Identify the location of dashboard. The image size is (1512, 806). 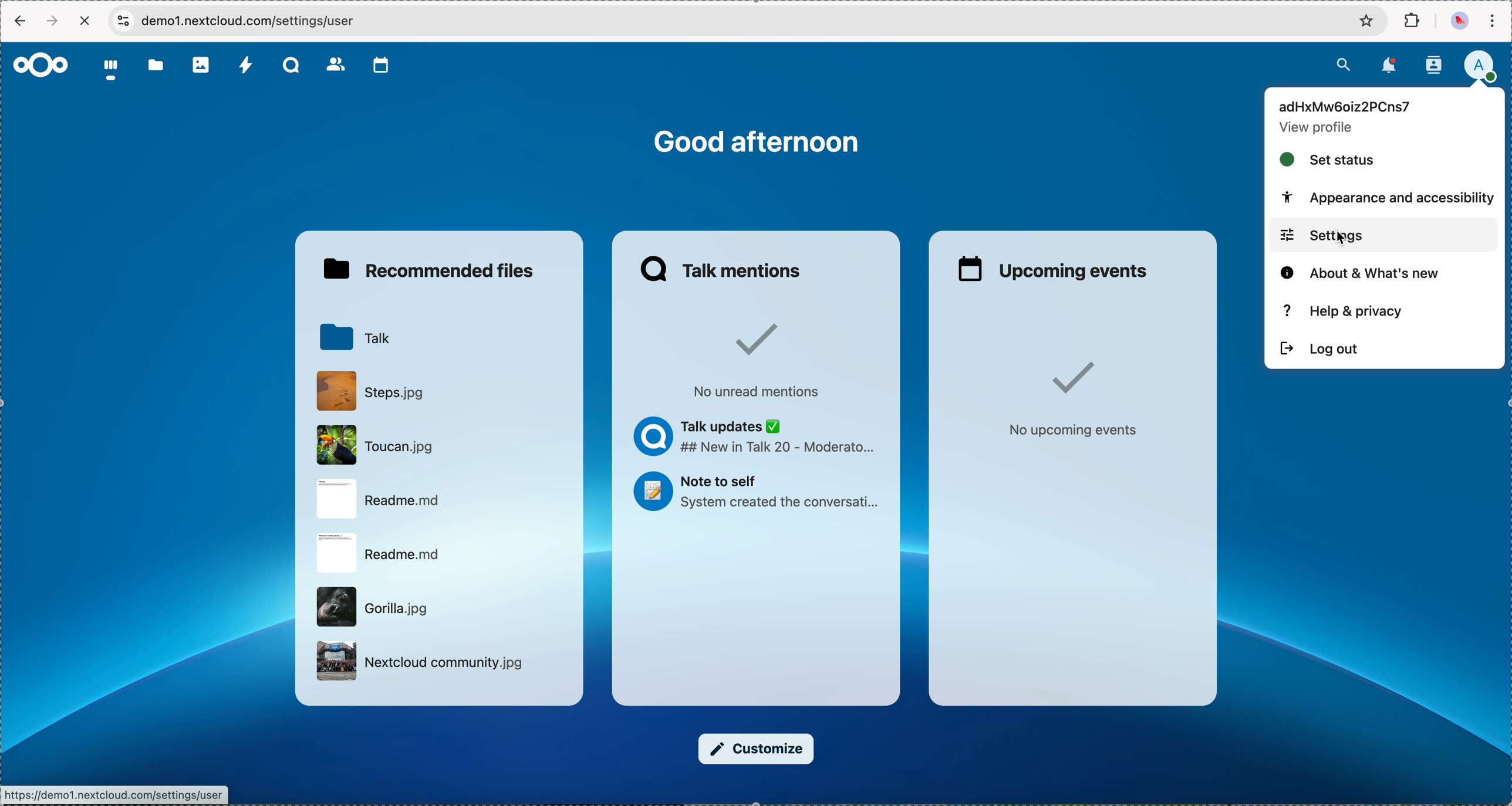
(112, 72).